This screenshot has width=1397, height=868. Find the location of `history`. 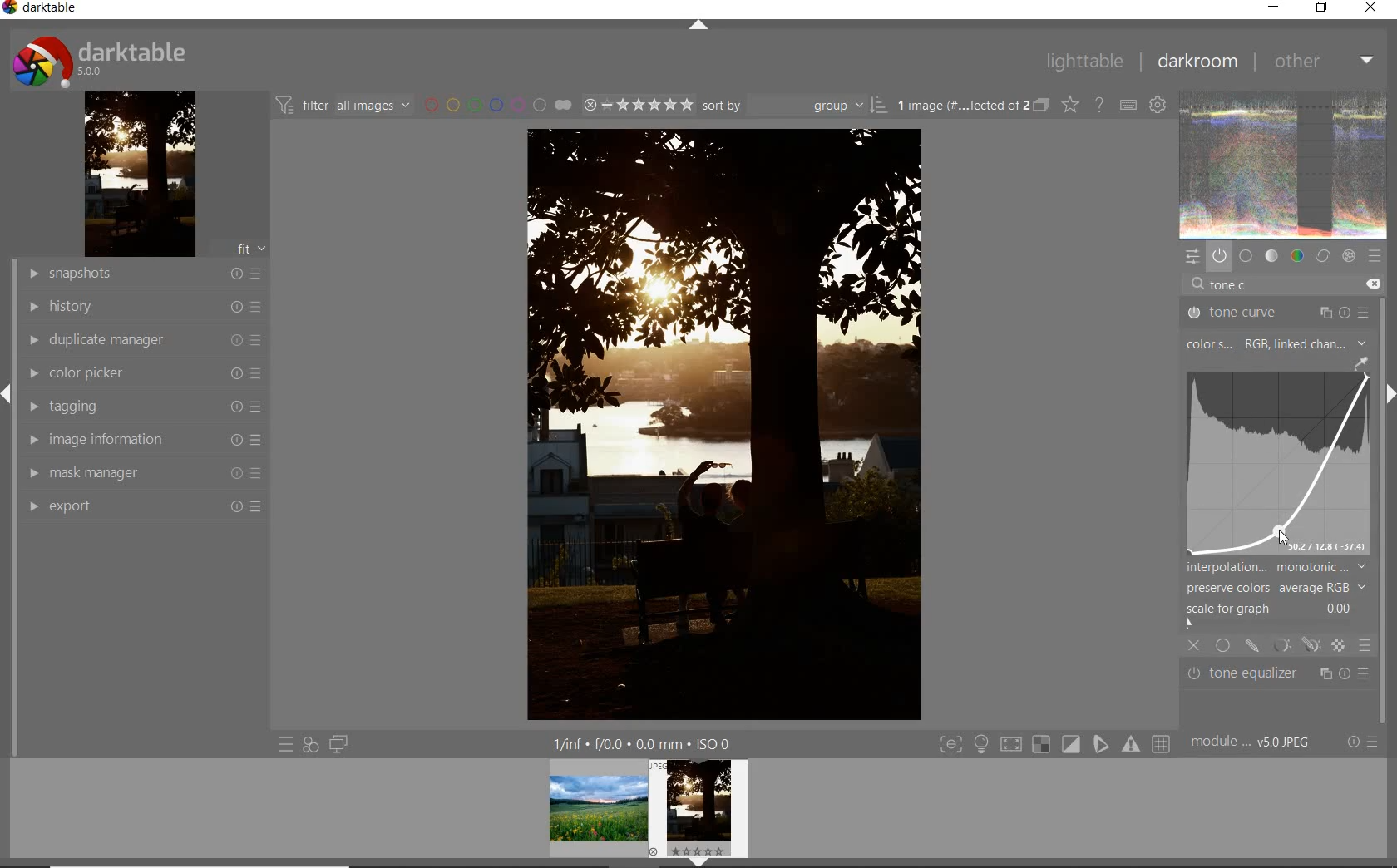

history is located at coordinates (140, 307).